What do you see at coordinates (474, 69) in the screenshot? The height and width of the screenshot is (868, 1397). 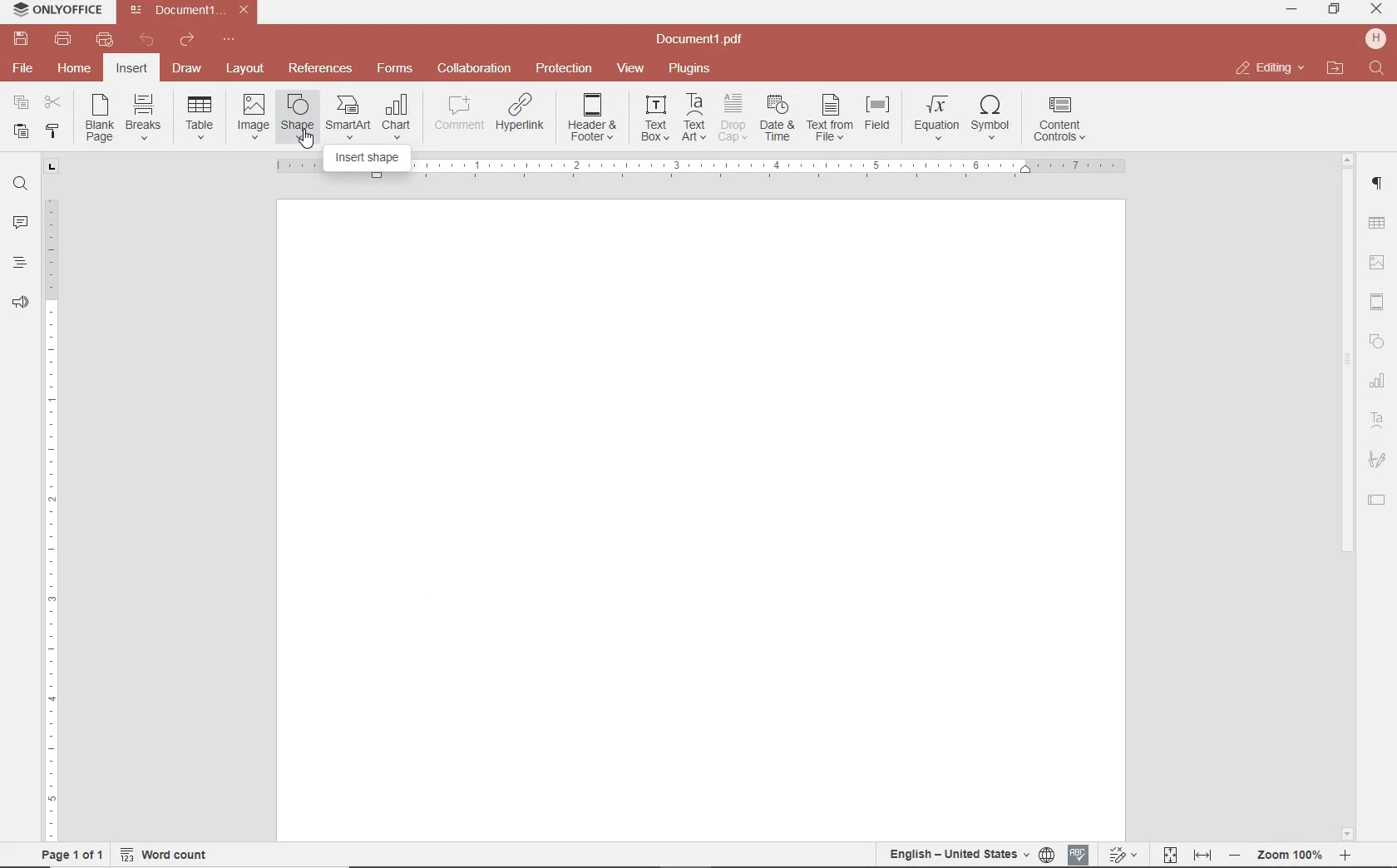 I see `collaboration` at bounding box center [474, 69].